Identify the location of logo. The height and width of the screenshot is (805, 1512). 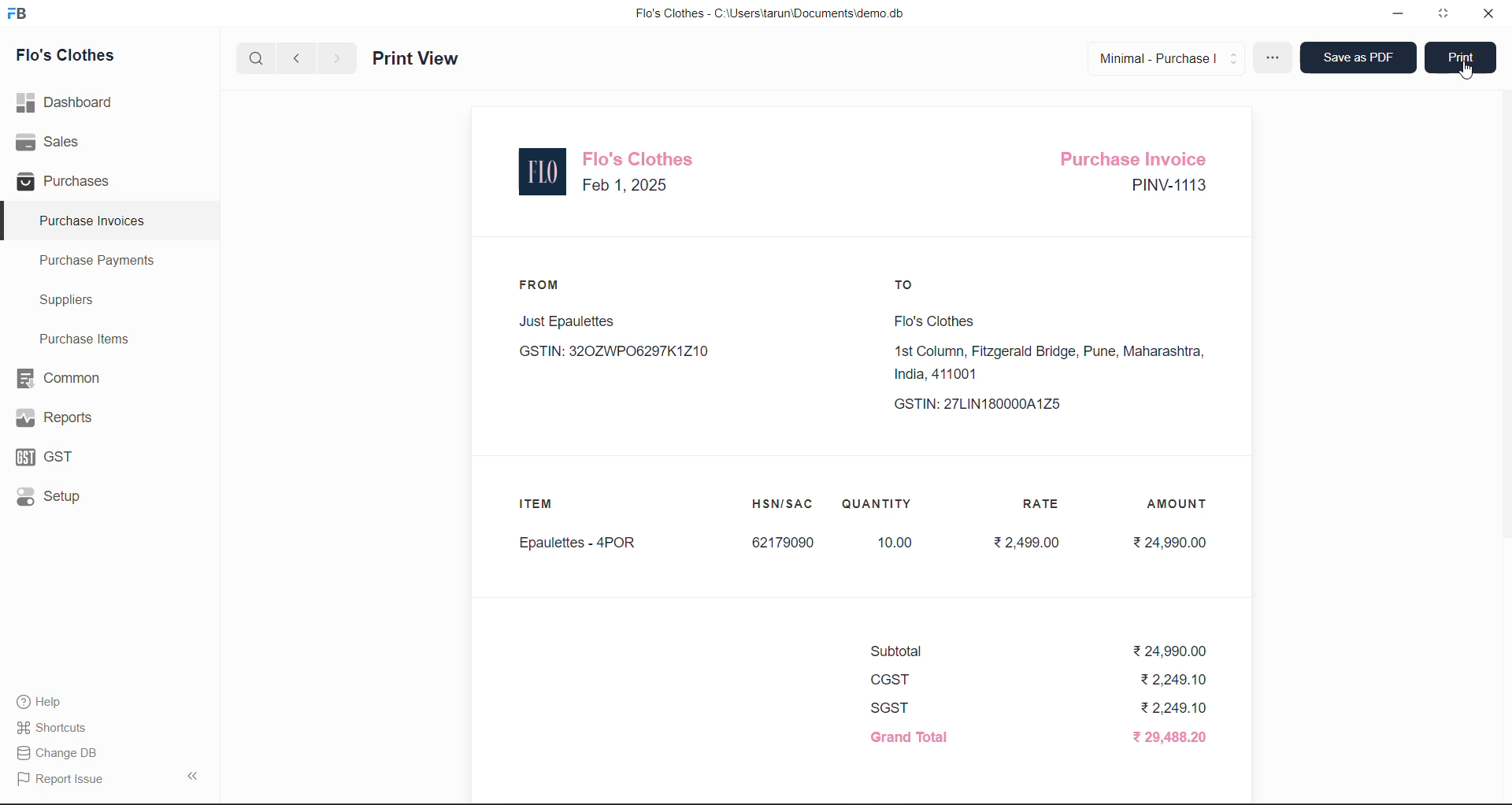
(20, 15).